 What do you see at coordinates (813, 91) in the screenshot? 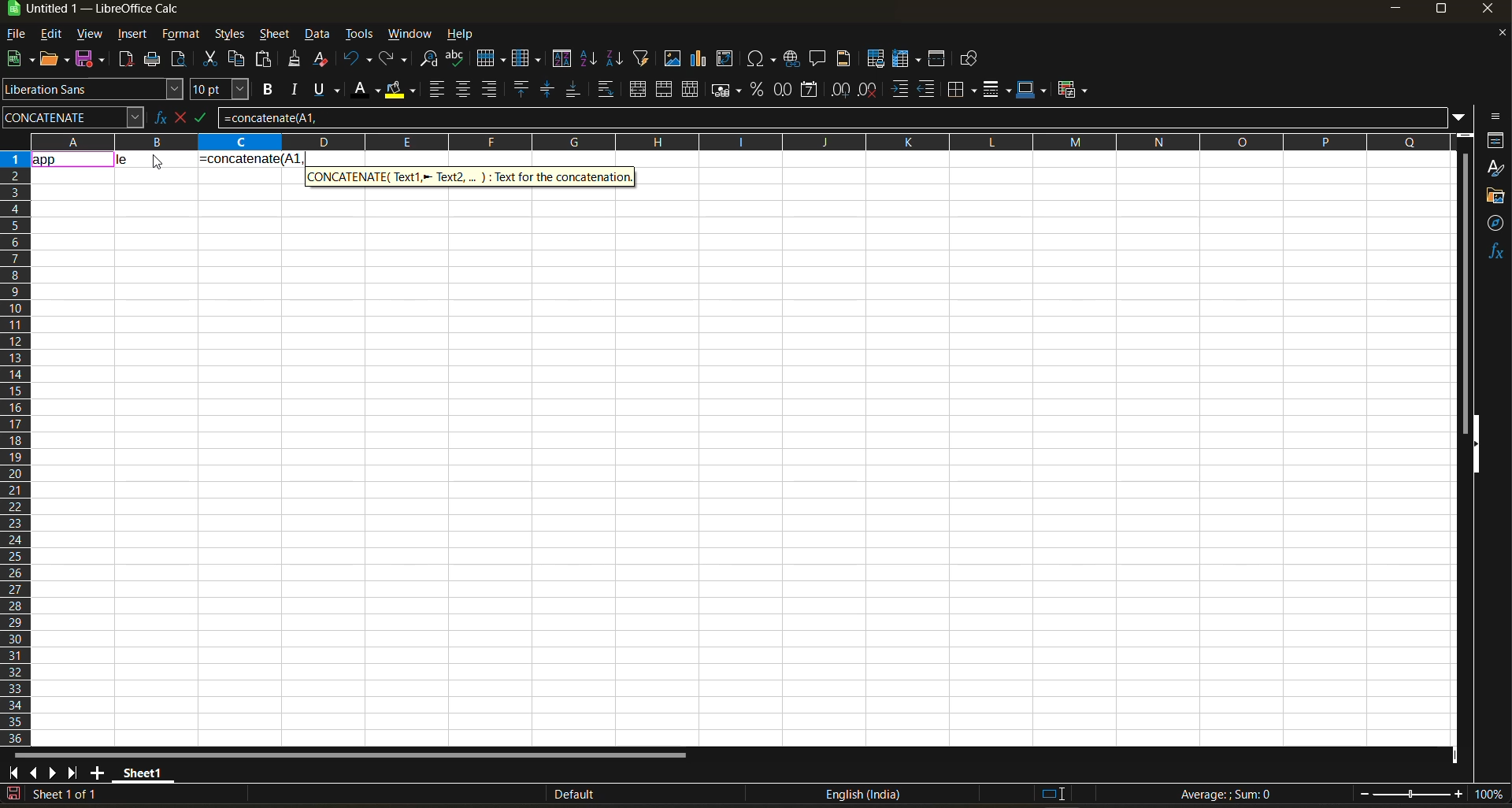
I see `format as date` at bounding box center [813, 91].